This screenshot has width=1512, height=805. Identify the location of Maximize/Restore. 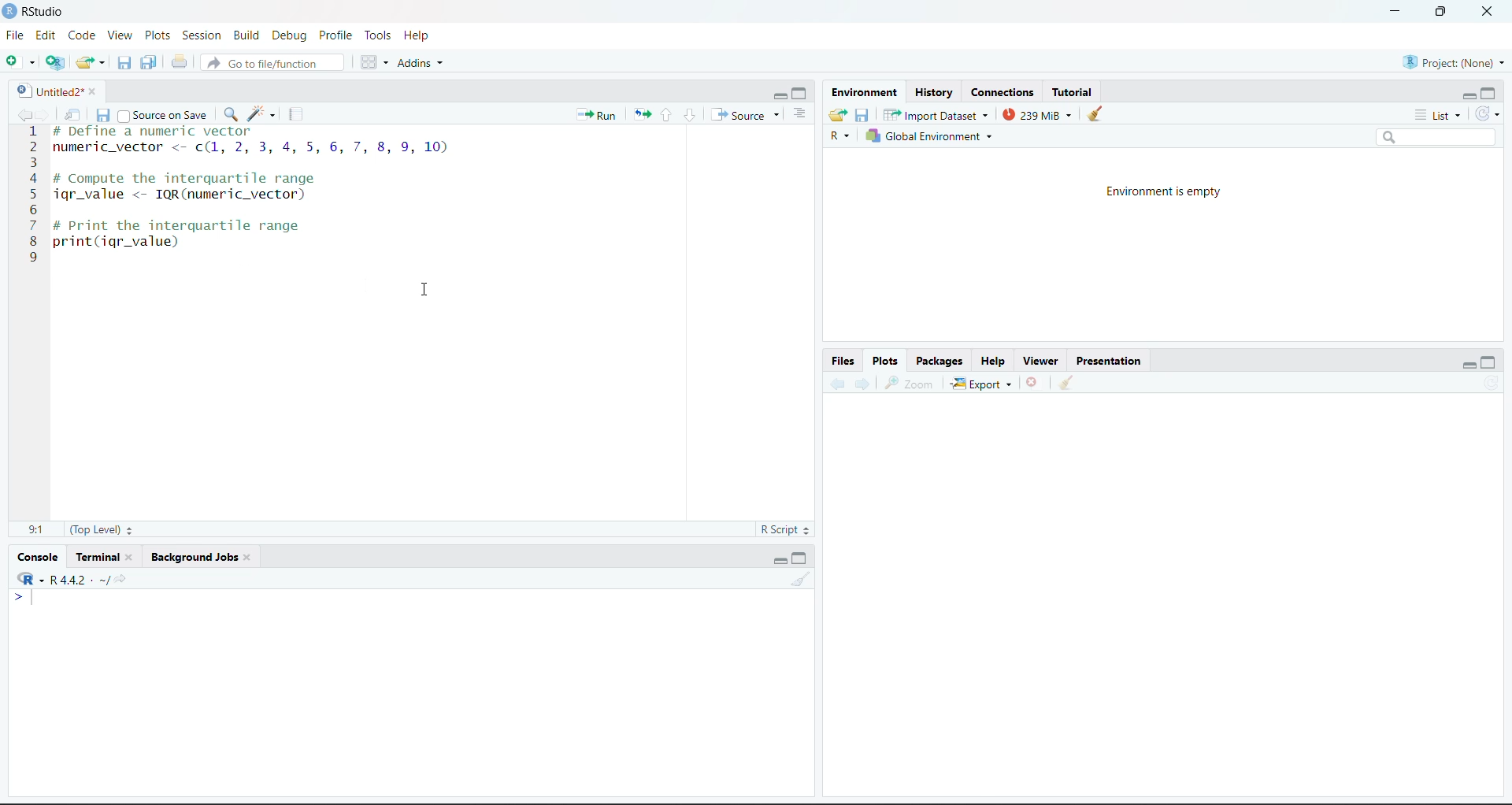
(1440, 12).